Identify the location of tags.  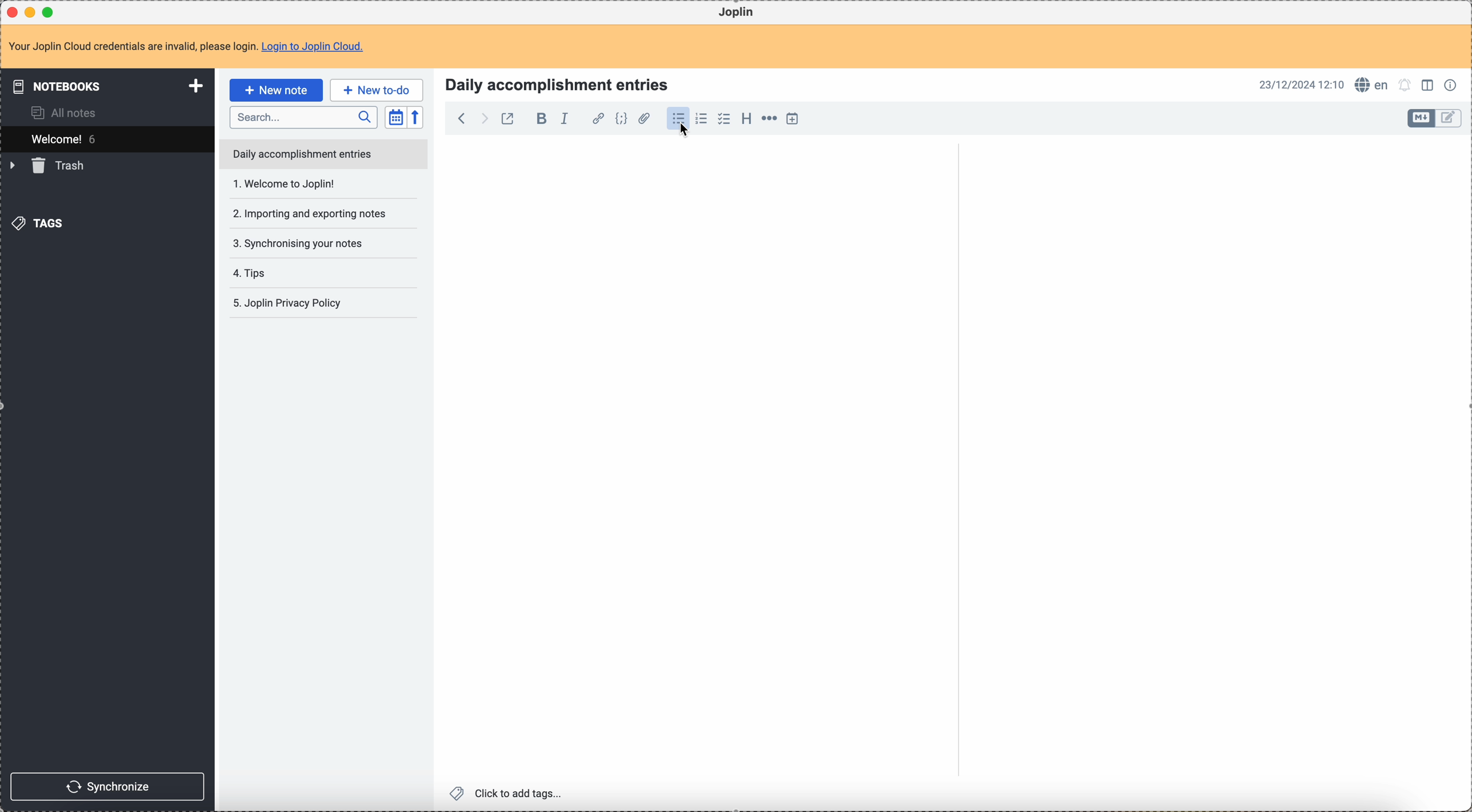
(42, 223).